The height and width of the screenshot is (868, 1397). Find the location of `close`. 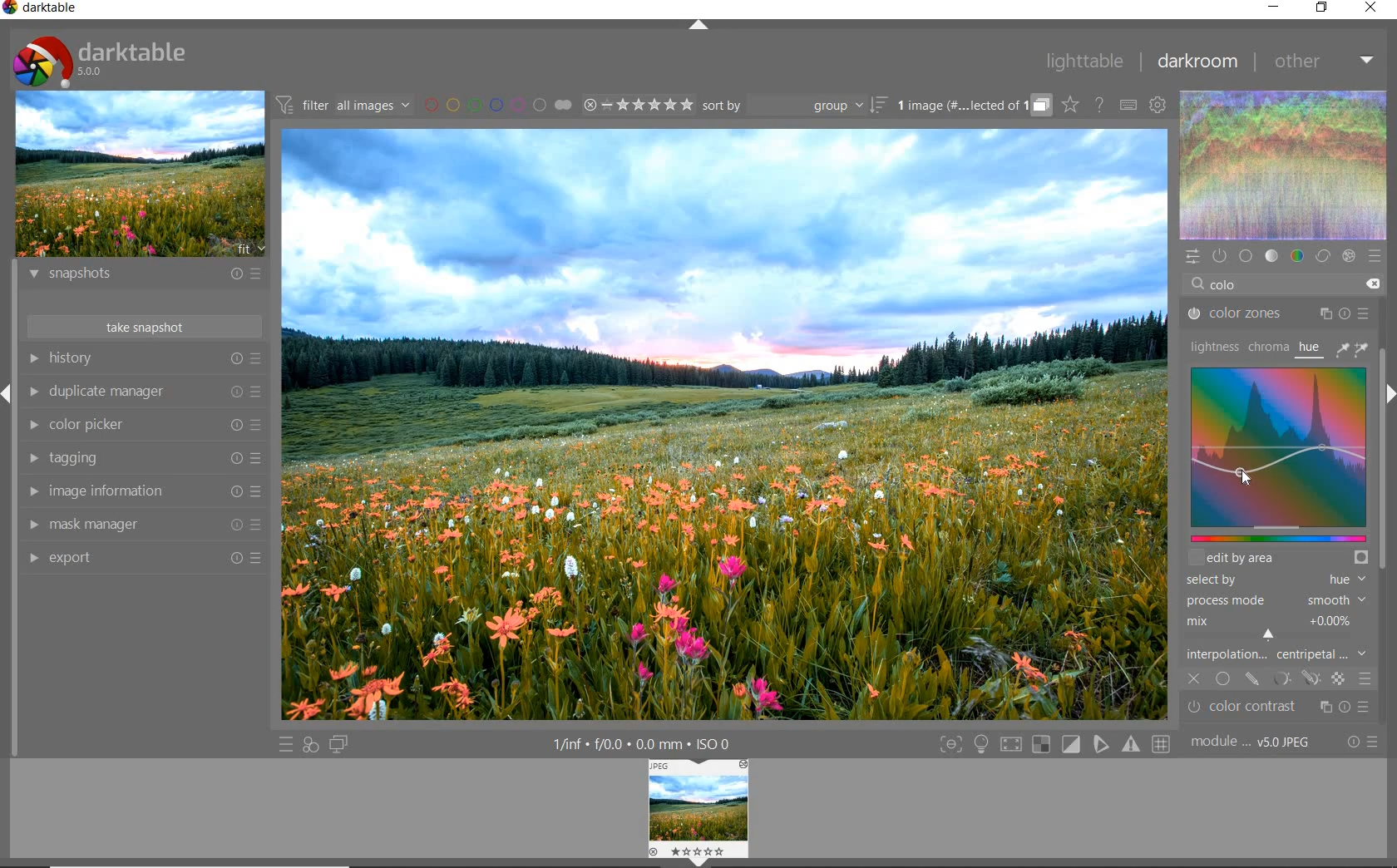

close is located at coordinates (1372, 7).